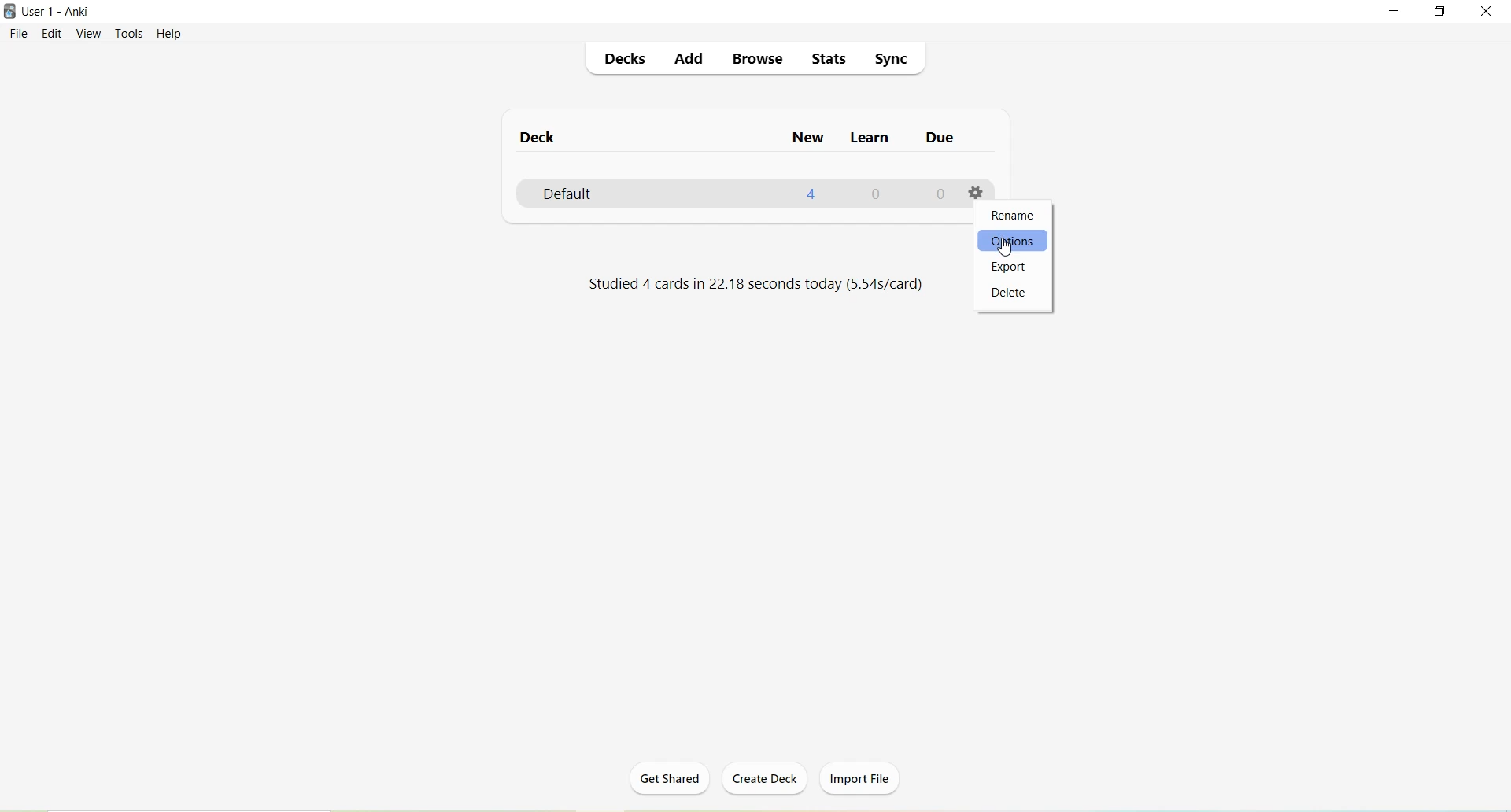 The image size is (1511, 812). I want to click on Deck, so click(540, 136).